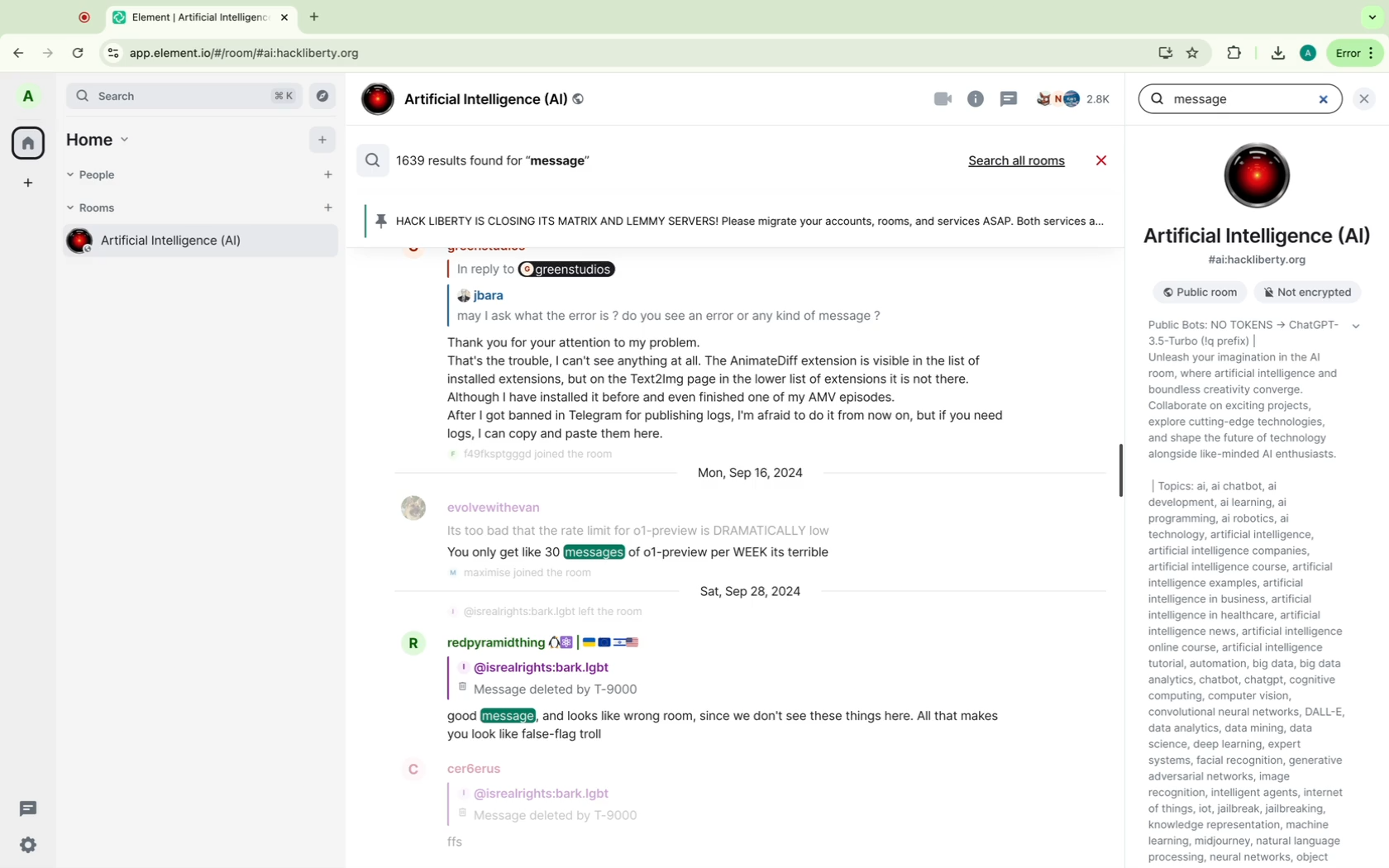 Image resolution: width=1389 pixels, height=868 pixels. Describe the element at coordinates (30, 808) in the screenshot. I see `threads` at that location.